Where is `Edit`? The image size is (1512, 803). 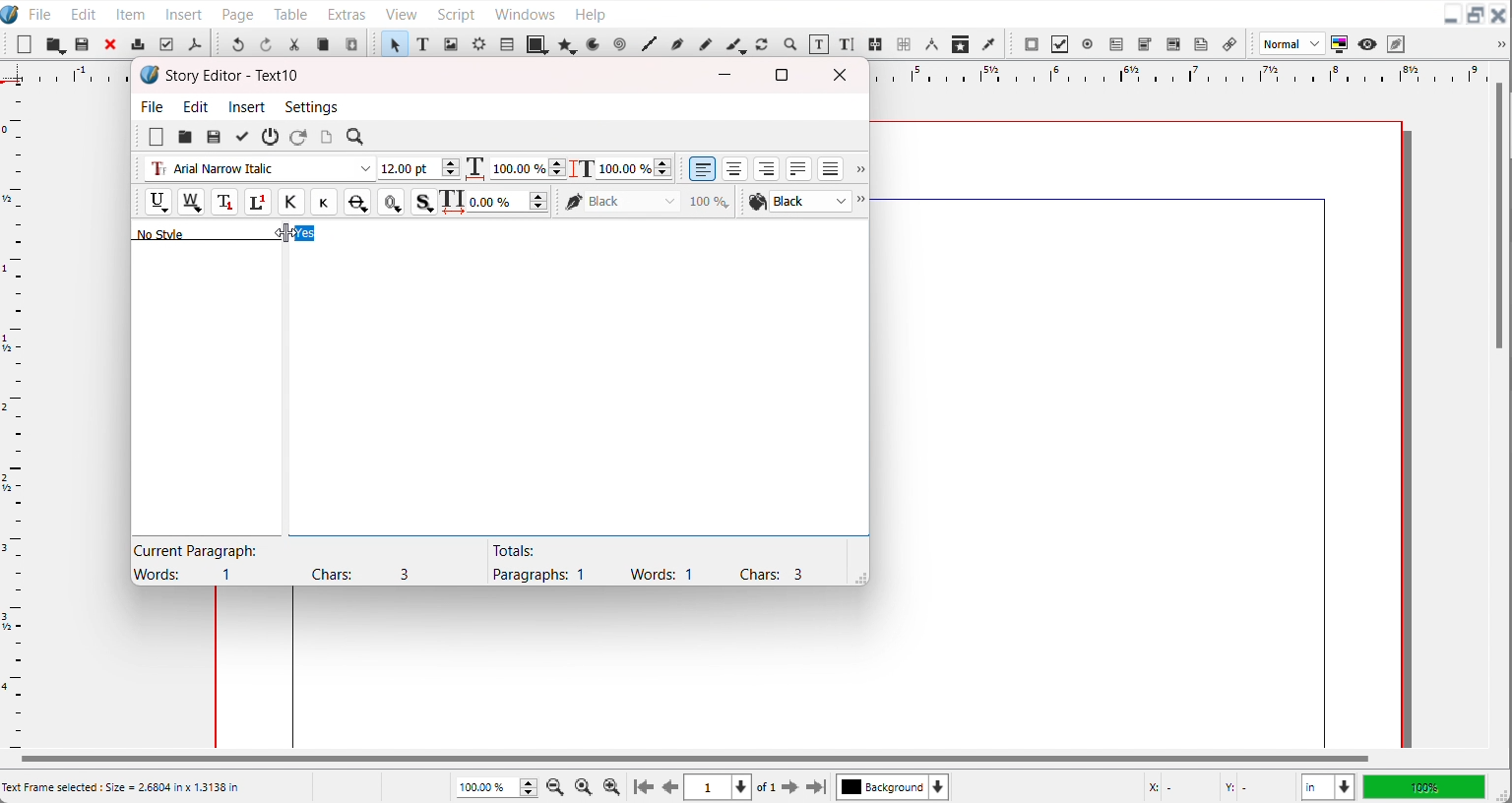 Edit is located at coordinates (81, 13).